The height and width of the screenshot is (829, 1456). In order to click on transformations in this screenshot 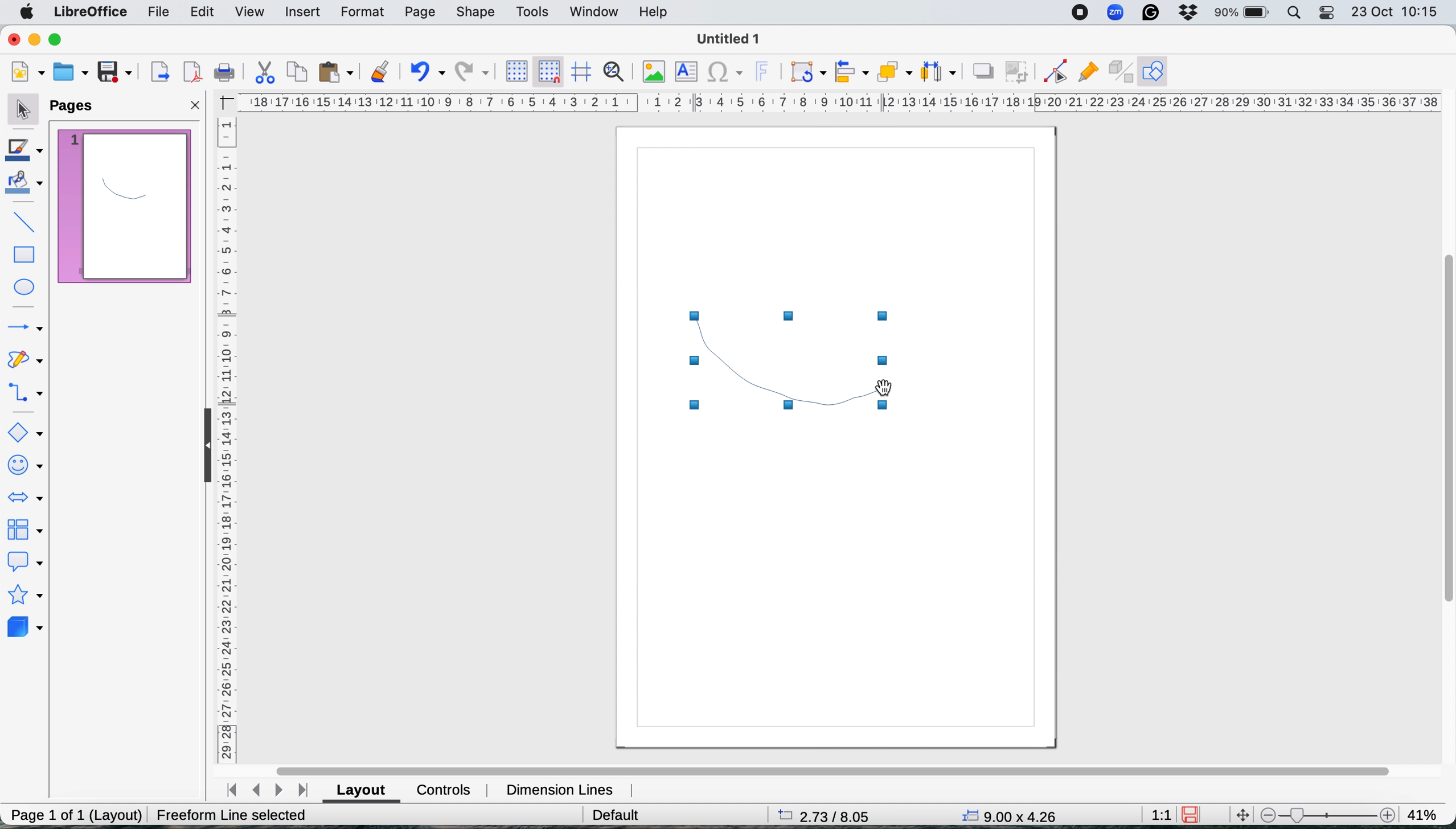, I will do `click(807, 73)`.